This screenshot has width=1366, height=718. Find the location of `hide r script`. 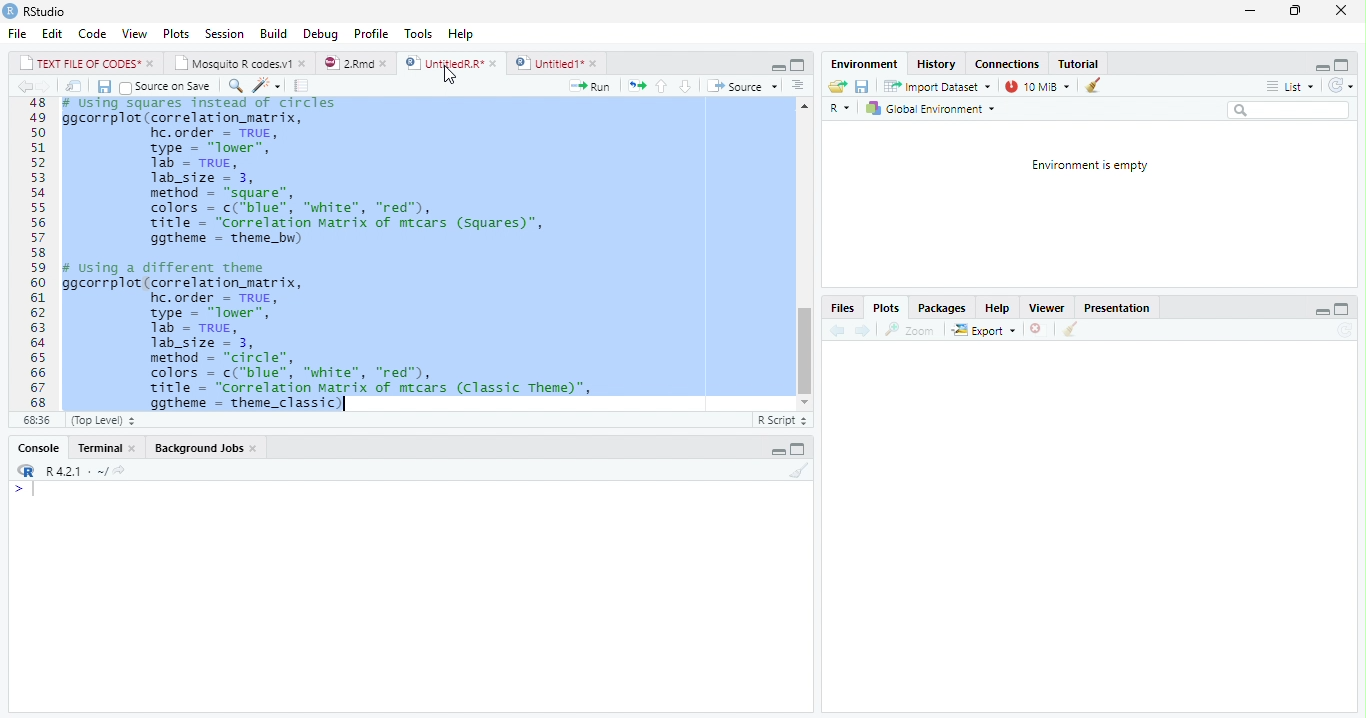

hide r script is located at coordinates (1322, 311).